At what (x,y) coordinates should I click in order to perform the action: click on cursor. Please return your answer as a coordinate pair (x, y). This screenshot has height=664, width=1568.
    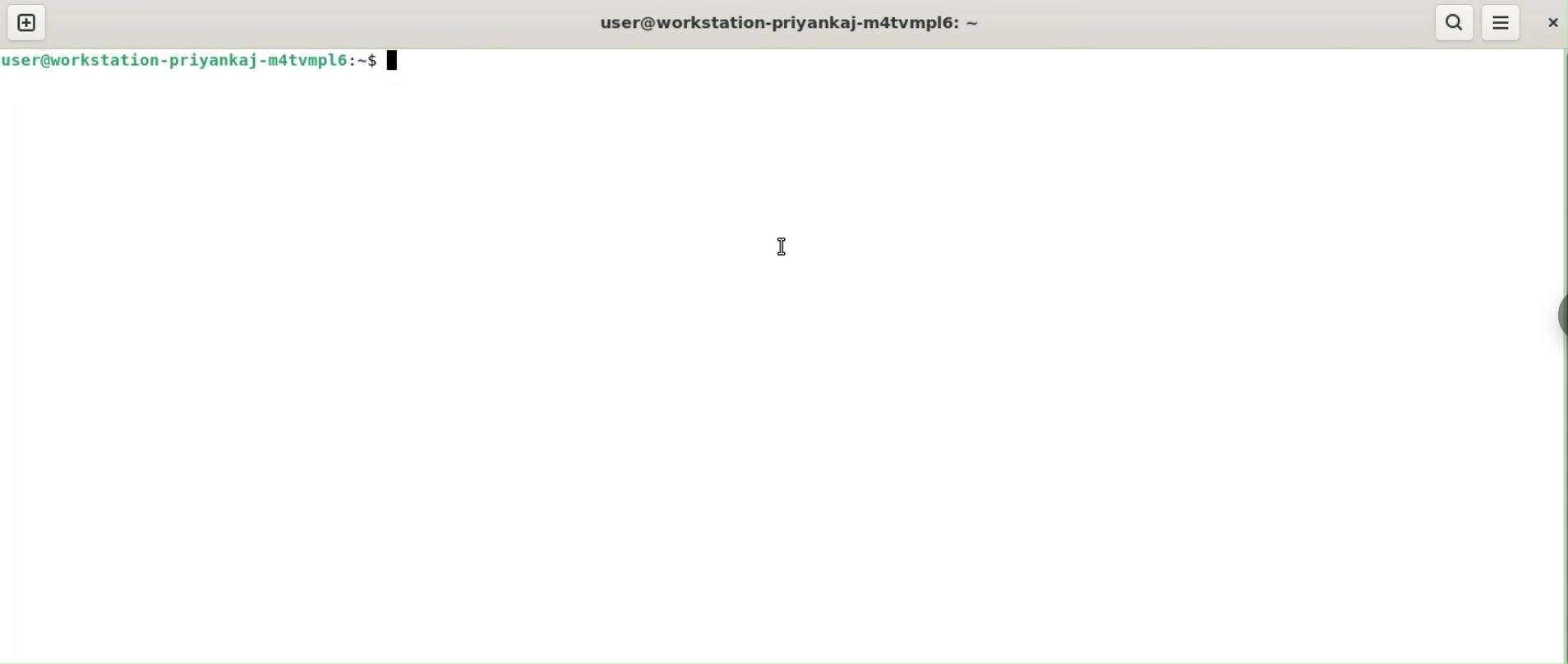
    Looking at the image, I should click on (782, 245).